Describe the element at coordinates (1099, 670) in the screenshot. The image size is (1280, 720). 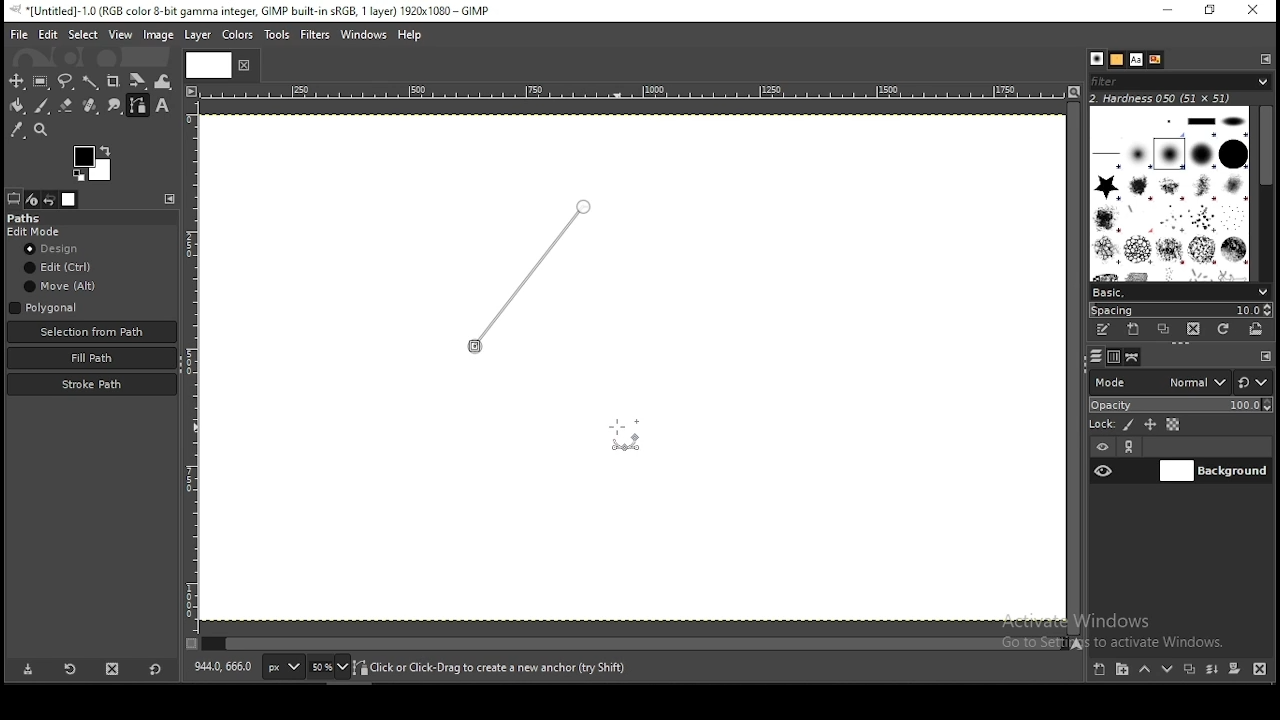
I see `create a new layer` at that location.